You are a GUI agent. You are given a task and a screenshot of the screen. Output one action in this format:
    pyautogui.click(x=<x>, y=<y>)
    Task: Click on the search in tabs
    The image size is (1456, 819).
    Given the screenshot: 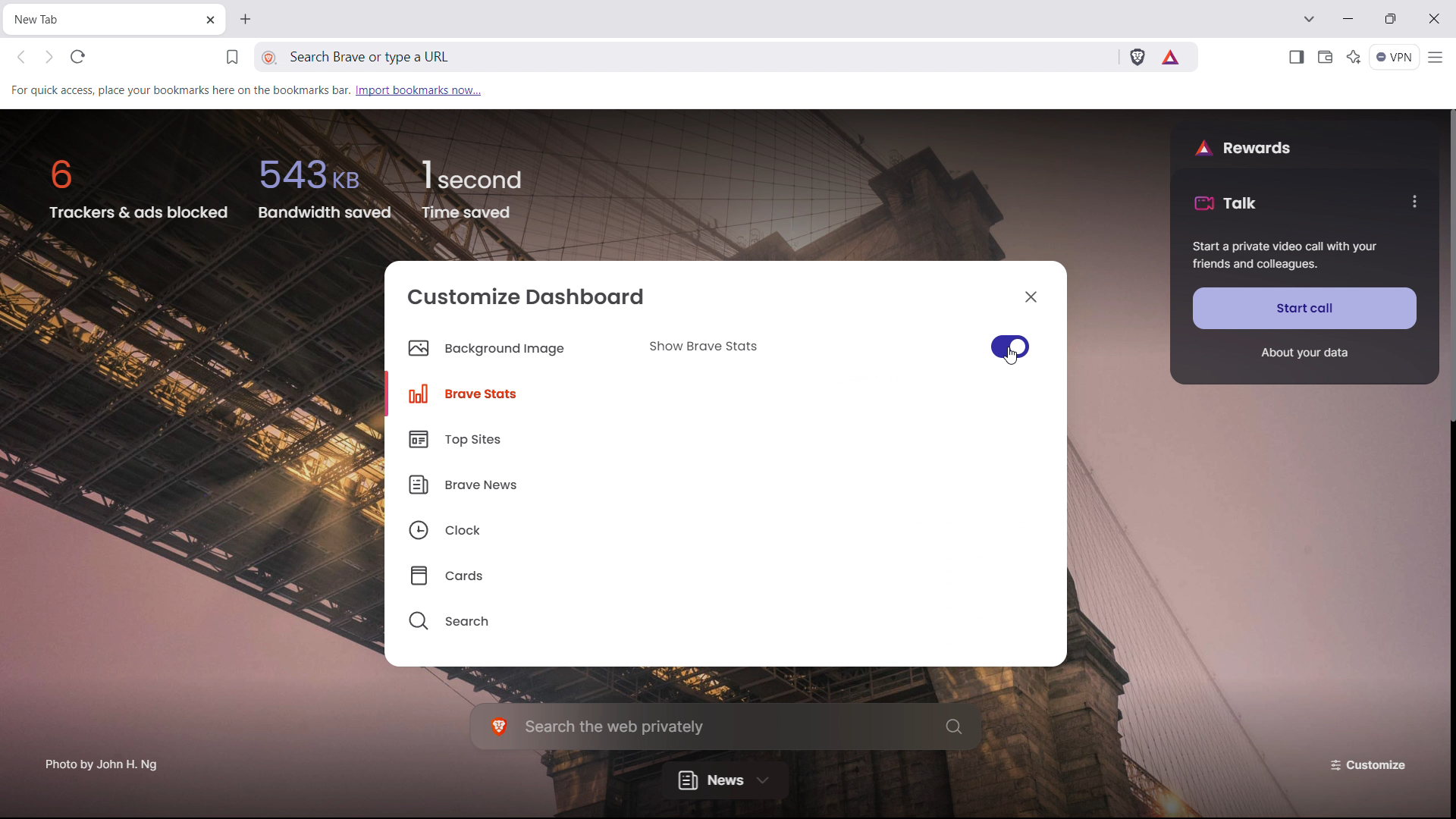 What is the action you would take?
    pyautogui.click(x=1308, y=17)
    